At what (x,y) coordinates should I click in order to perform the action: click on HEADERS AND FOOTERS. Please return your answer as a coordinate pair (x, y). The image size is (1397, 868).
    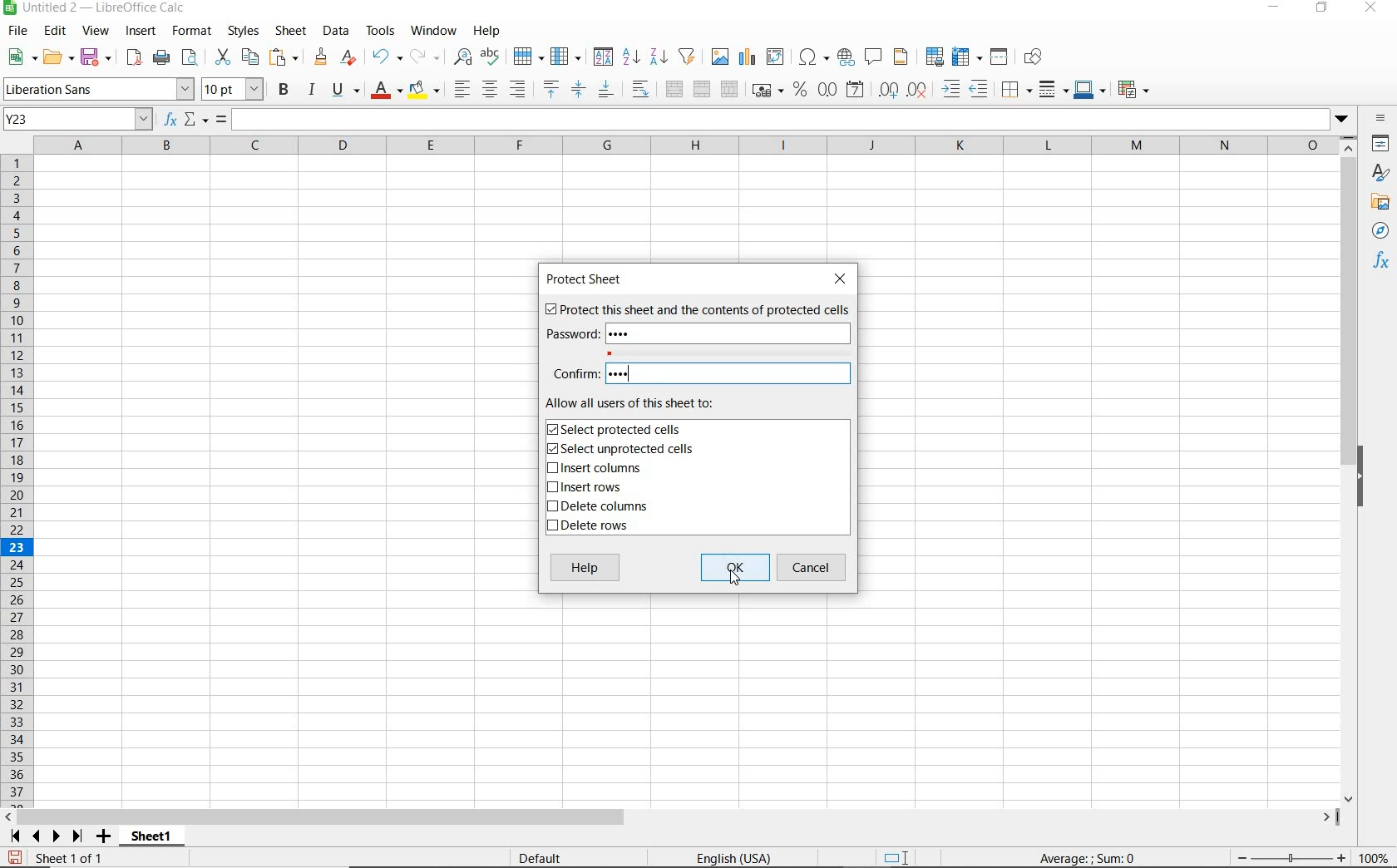
    Looking at the image, I should click on (901, 58).